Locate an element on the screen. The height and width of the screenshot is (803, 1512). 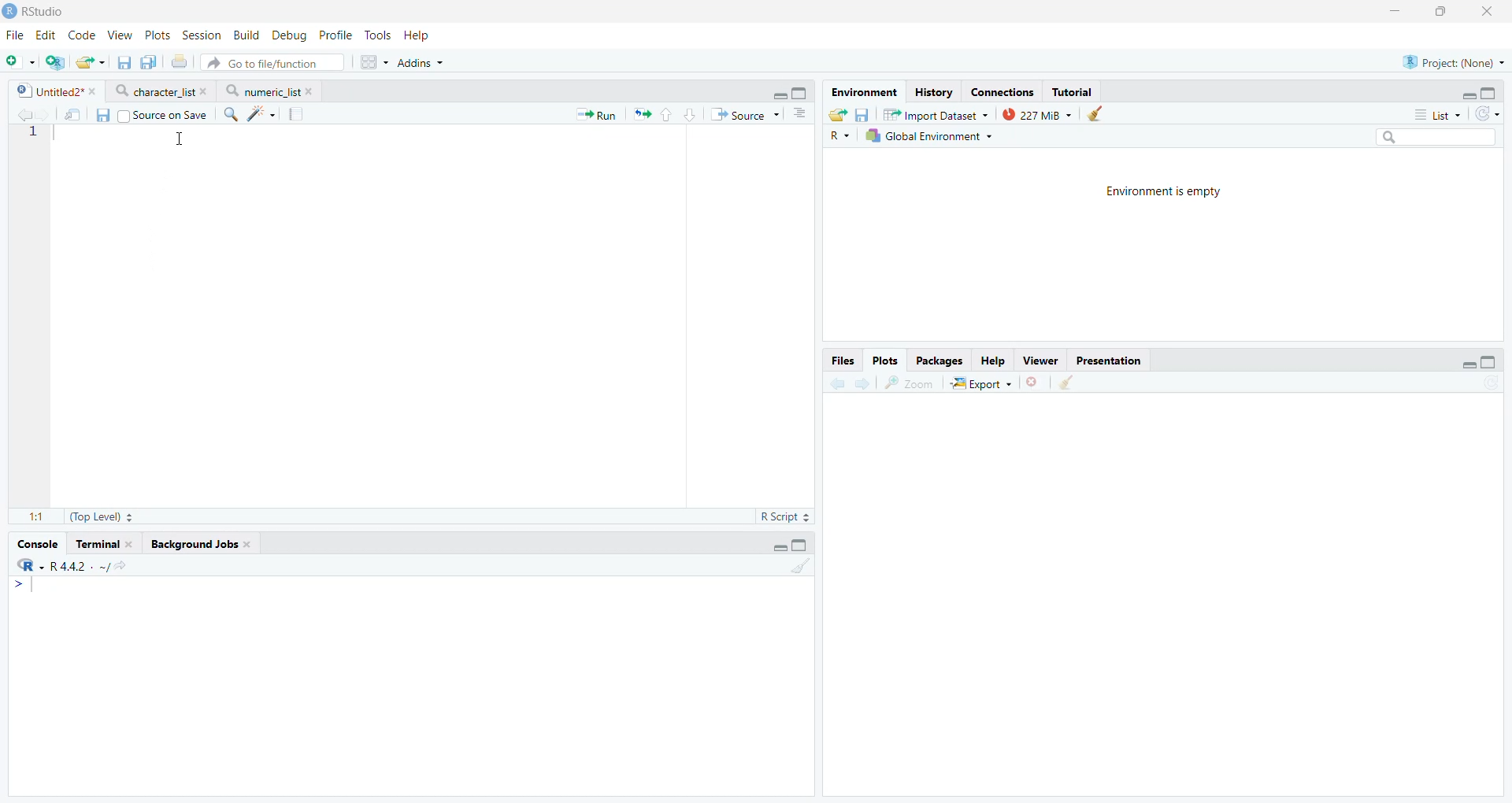
Presentation is located at coordinates (1110, 359).